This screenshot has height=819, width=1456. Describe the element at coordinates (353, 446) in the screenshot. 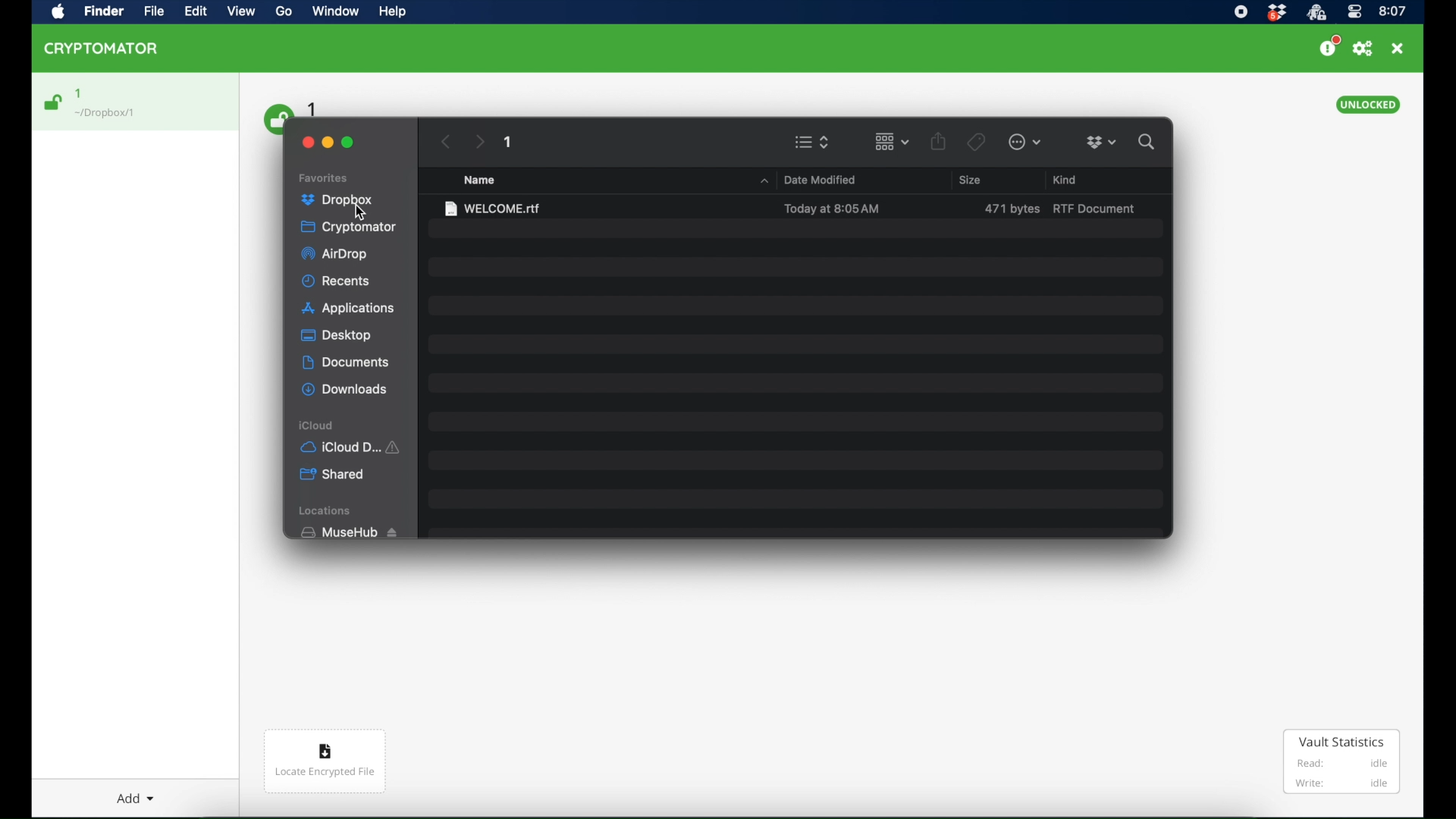

I see `iCloud` at that location.